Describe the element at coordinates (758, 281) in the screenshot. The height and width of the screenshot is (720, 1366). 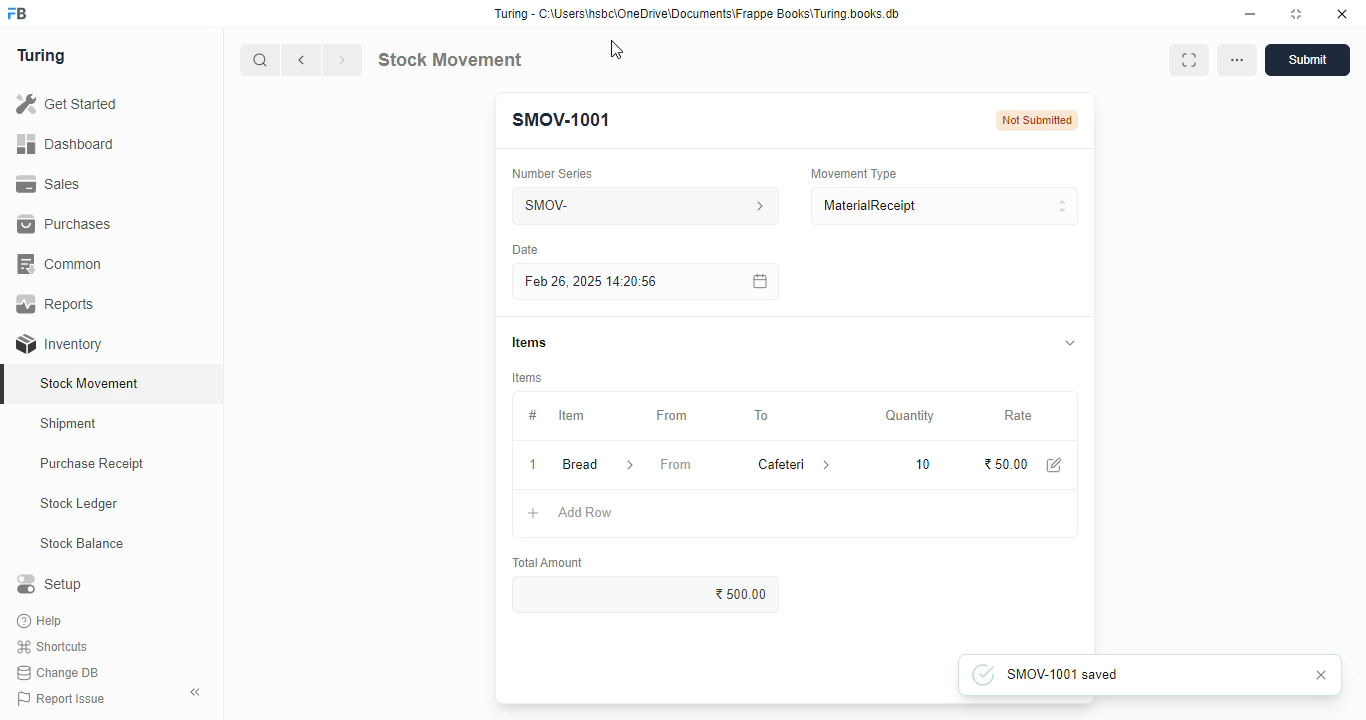
I see `calendar` at that location.